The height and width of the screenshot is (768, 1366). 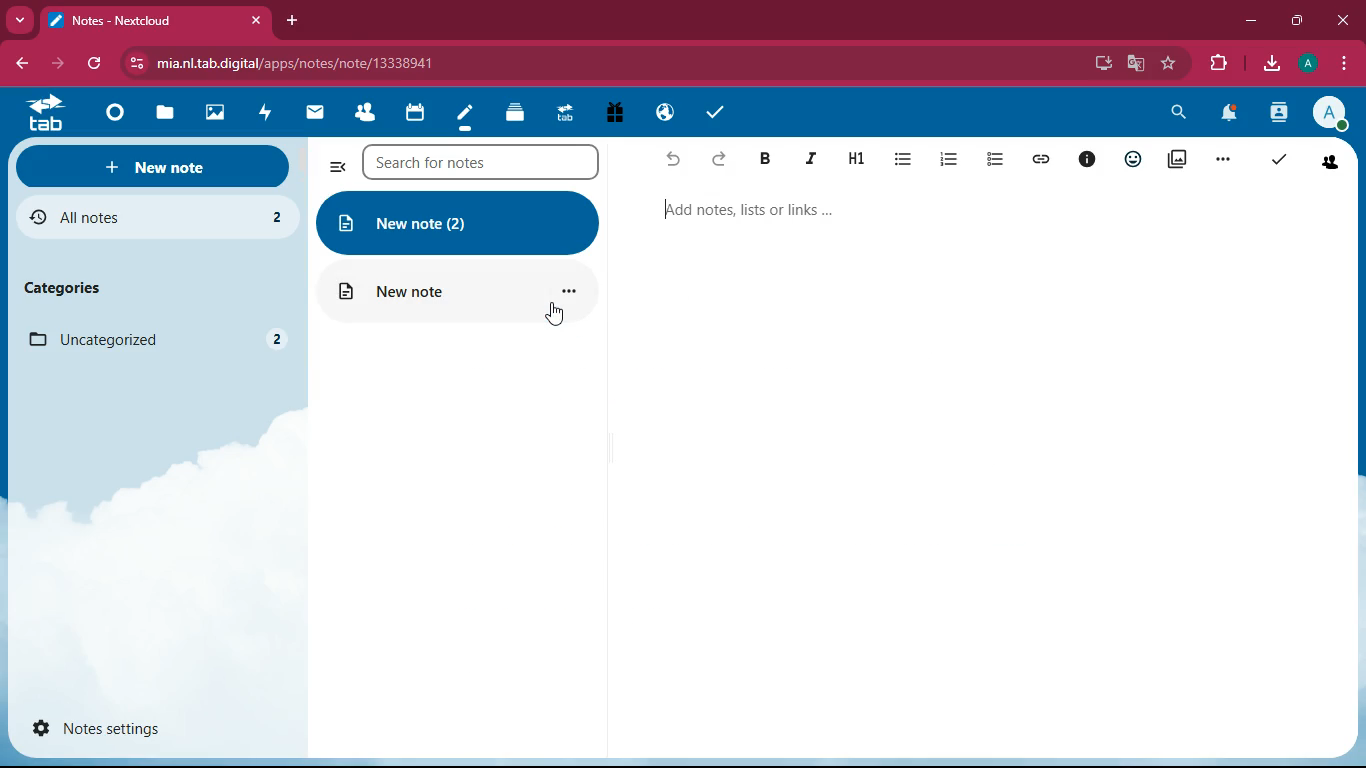 I want to click on extension, so click(x=1218, y=64).